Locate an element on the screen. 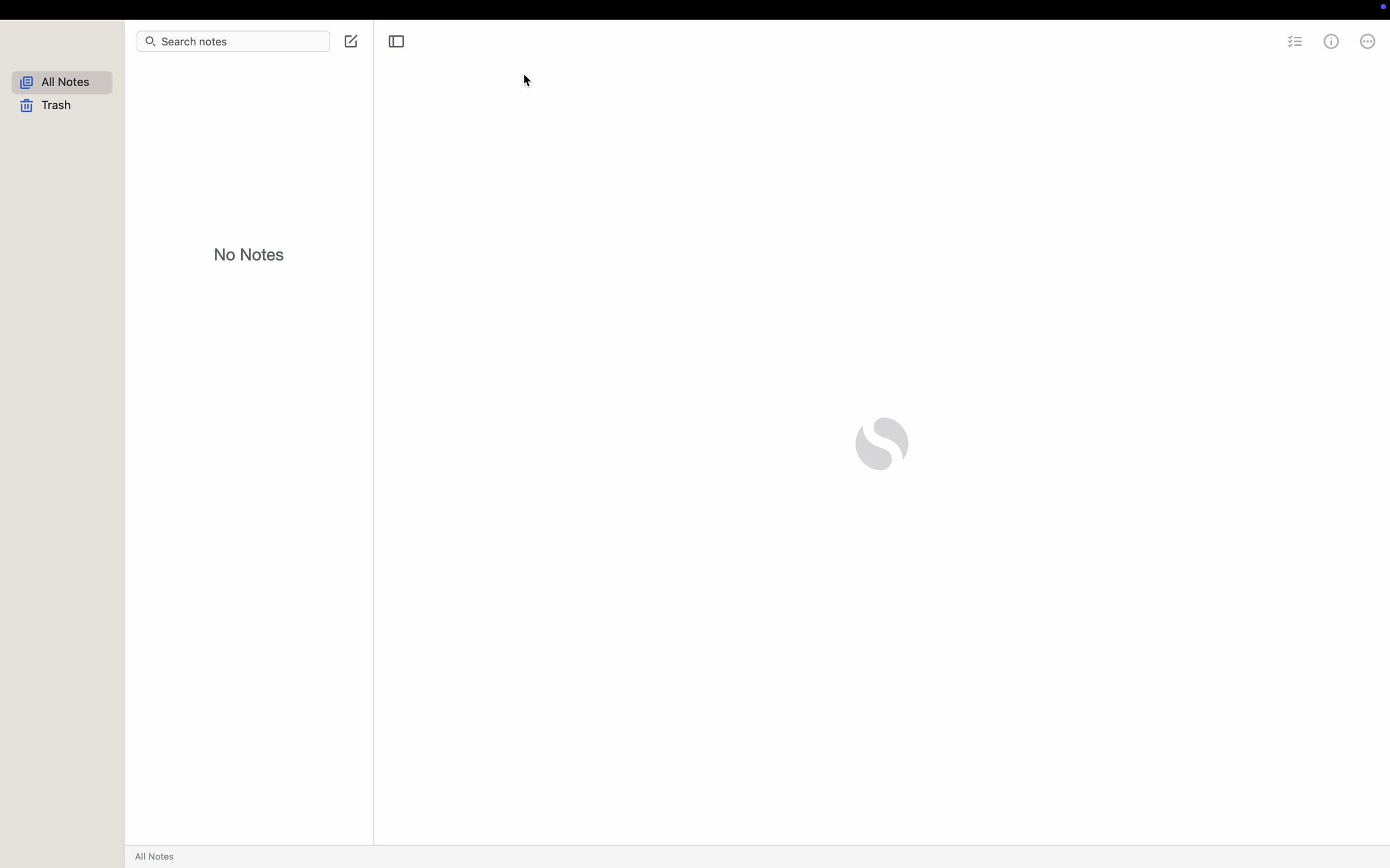  no notes is located at coordinates (250, 254).